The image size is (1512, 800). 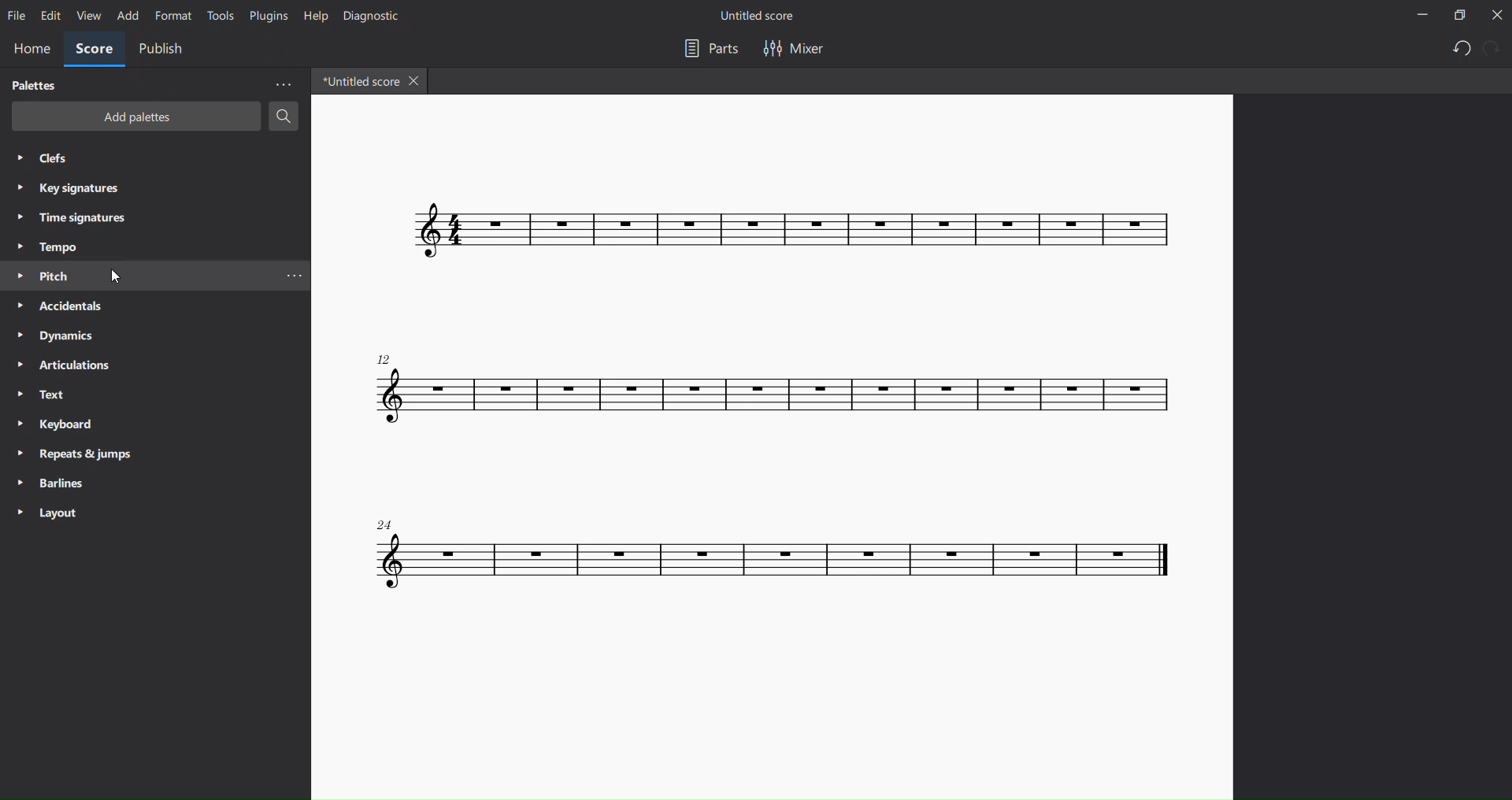 What do you see at coordinates (774, 402) in the screenshot?
I see `concert` at bounding box center [774, 402].